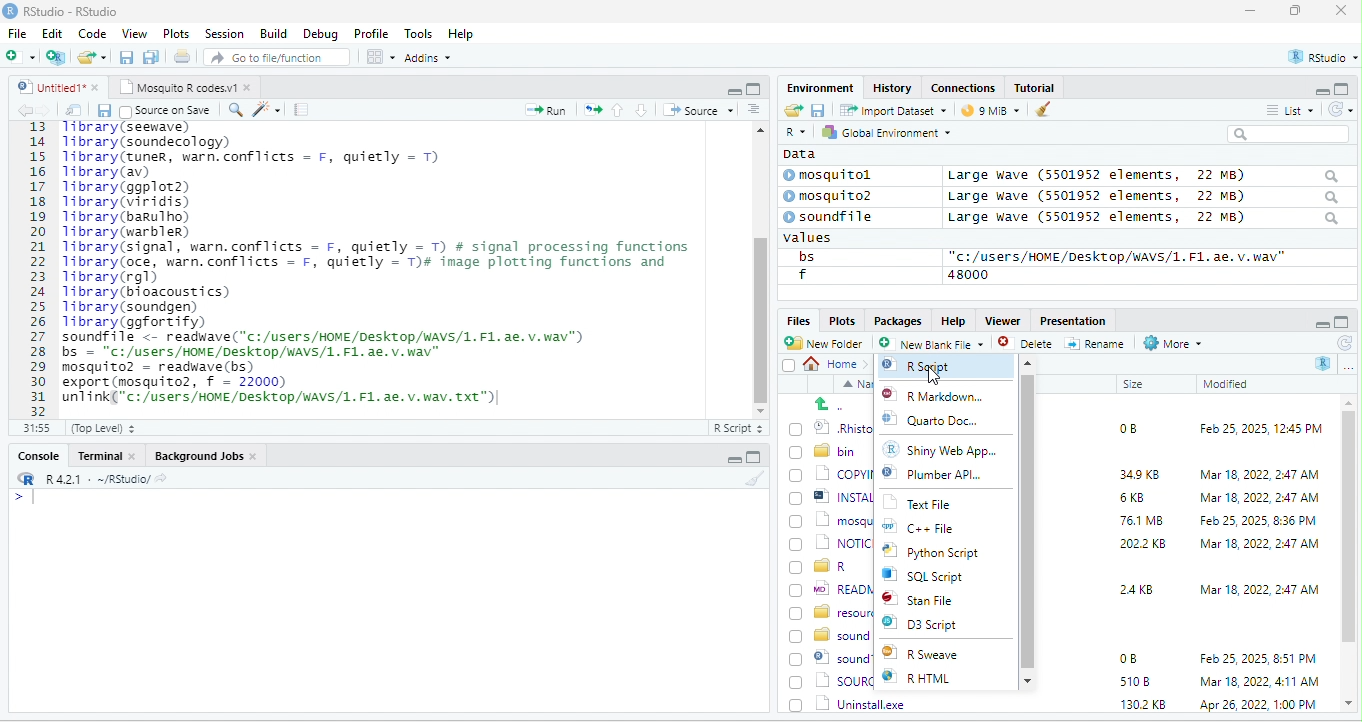 The width and height of the screenshot is (1362, 722). What do you see at coordinates (945, 554) in the screenshot?
I see `Python Script` at bounding box center [945, 554].